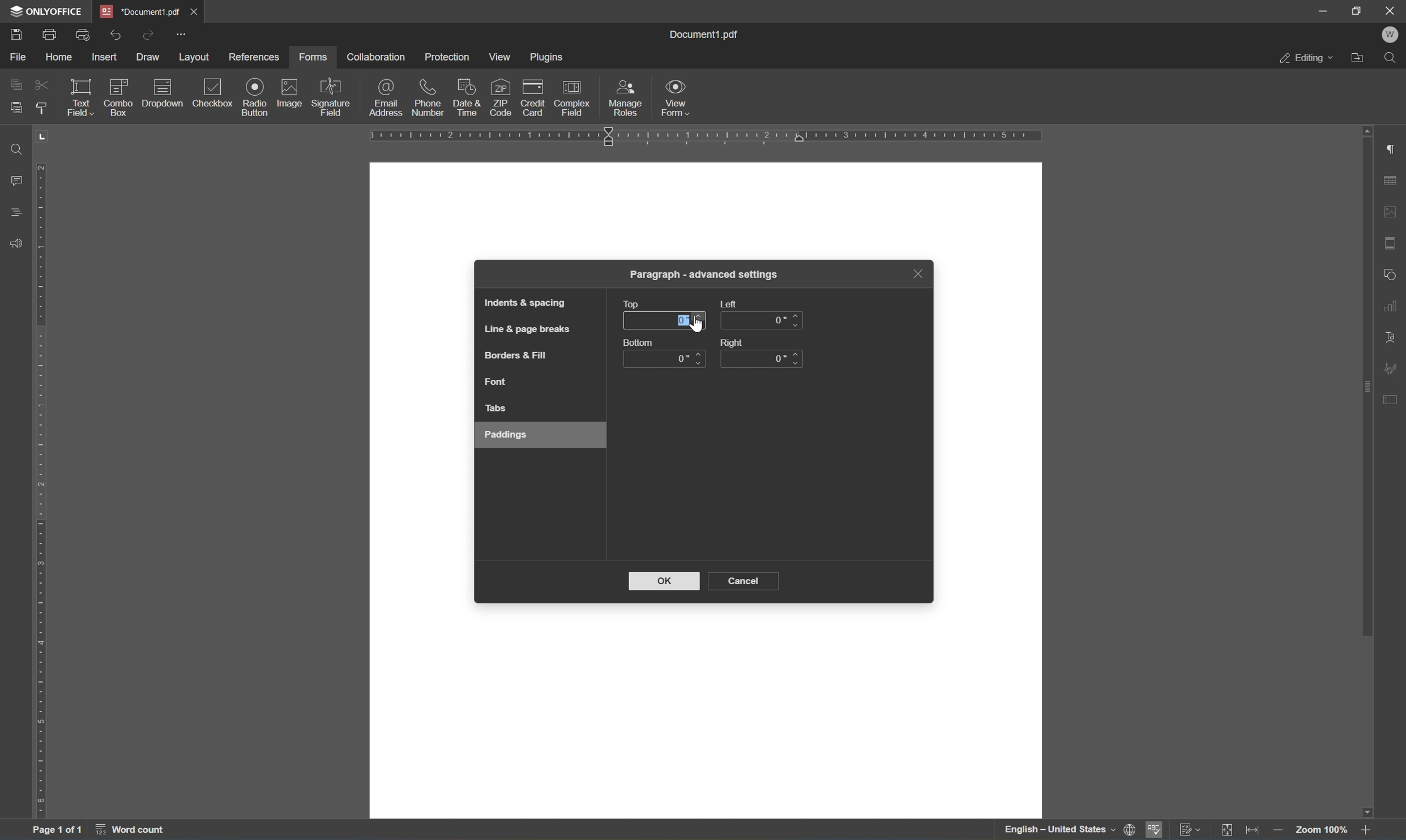  I want to click on zoom 100%, so click(1322, 832).